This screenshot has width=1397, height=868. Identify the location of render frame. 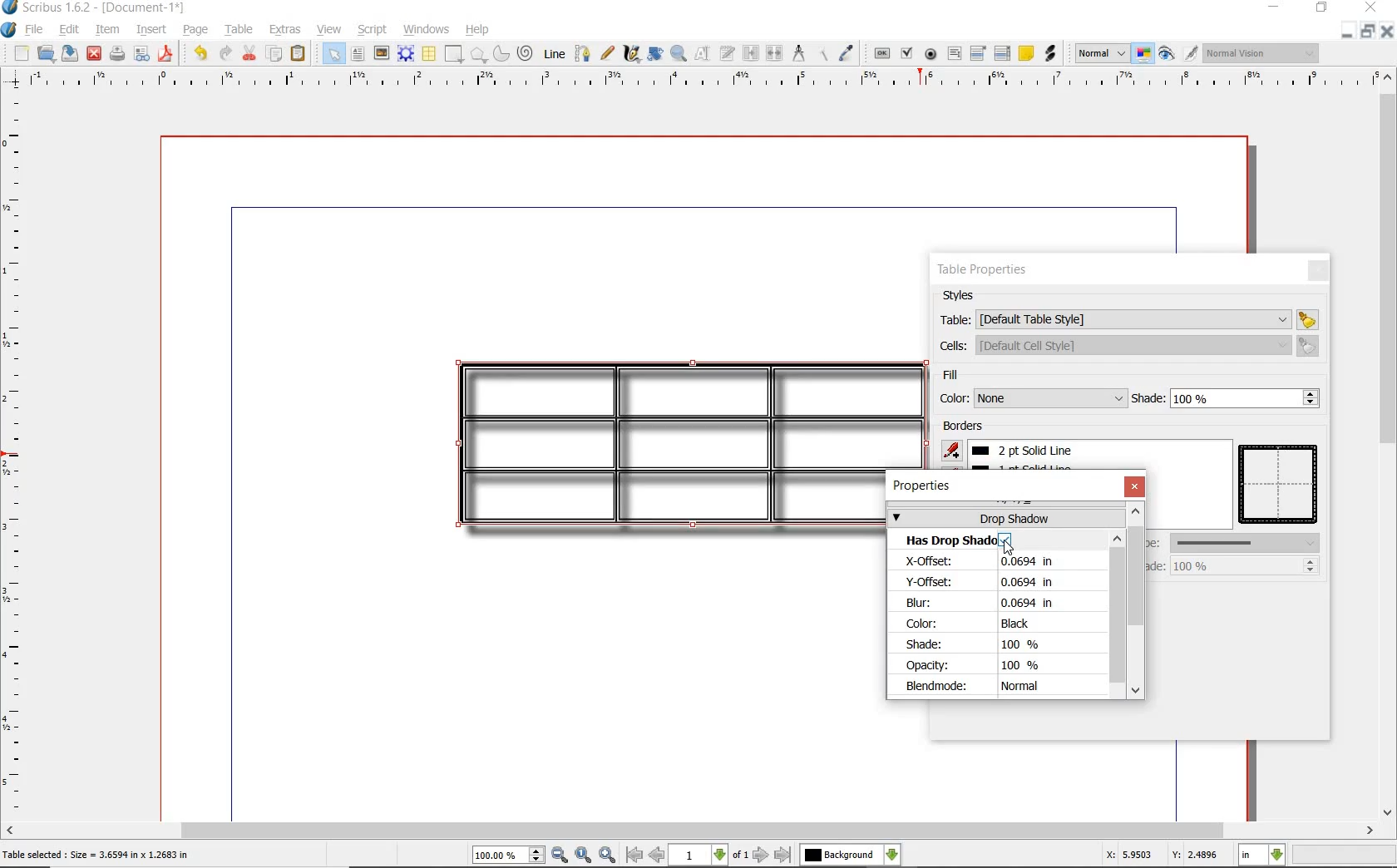
(406, 55).